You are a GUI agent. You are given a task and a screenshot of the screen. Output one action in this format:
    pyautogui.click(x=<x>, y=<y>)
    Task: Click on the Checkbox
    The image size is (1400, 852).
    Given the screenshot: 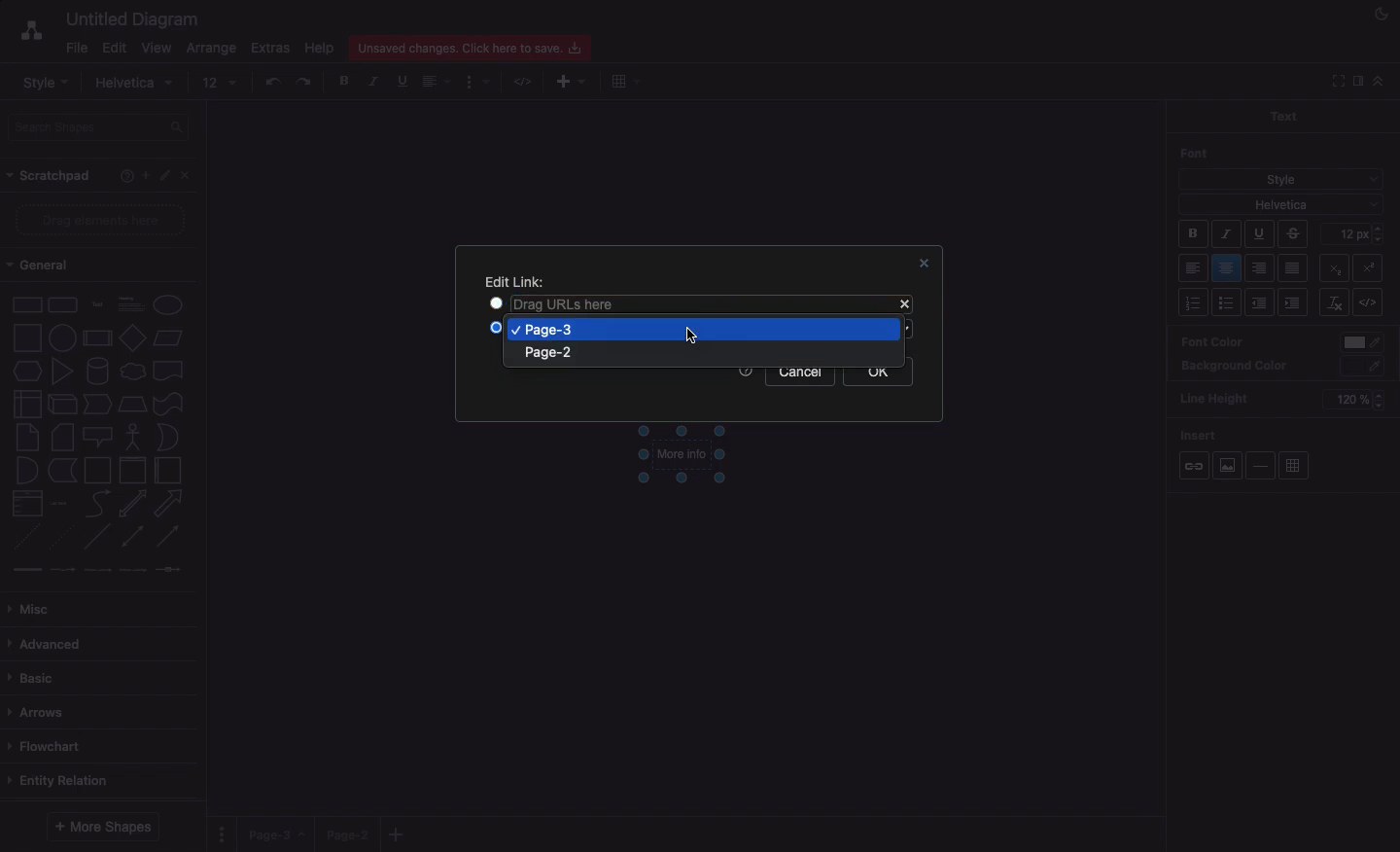 What is the action you would take?
    pyautogui.click(x=498, y=329)
    